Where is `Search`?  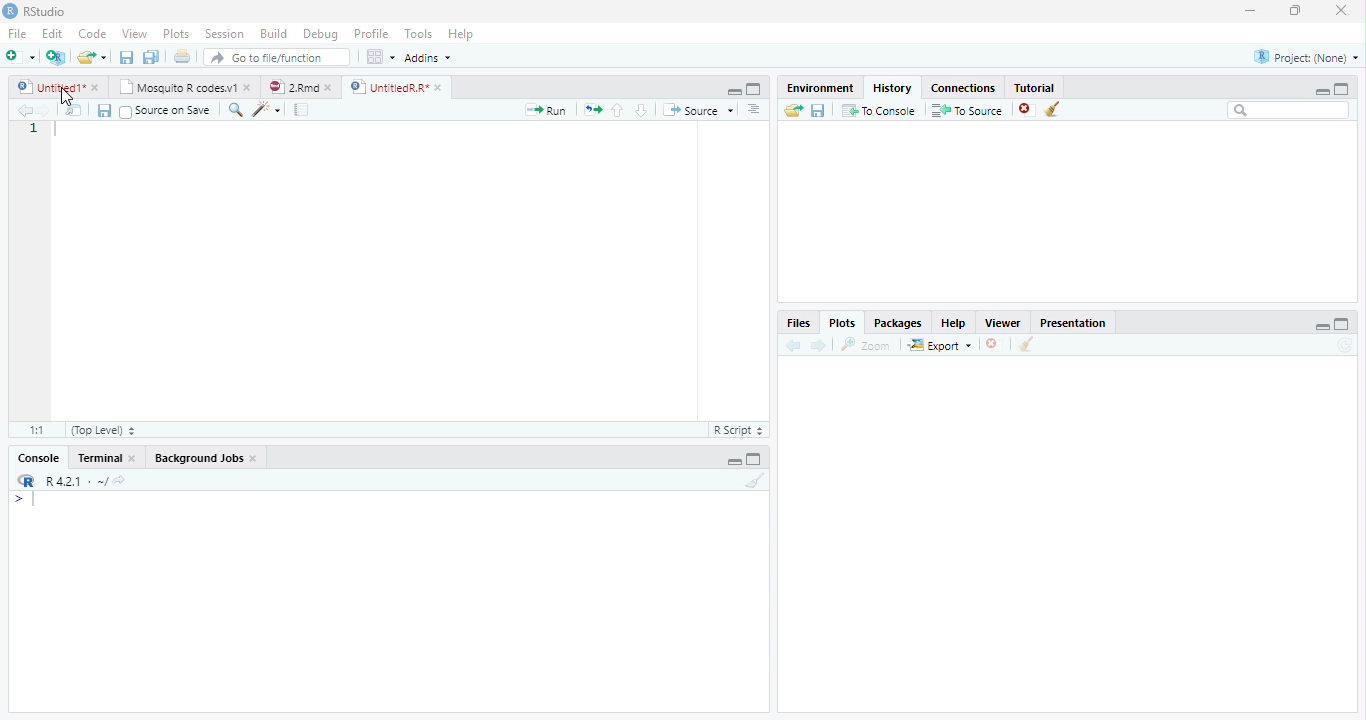 Search is located at coordinates (1287, 111).